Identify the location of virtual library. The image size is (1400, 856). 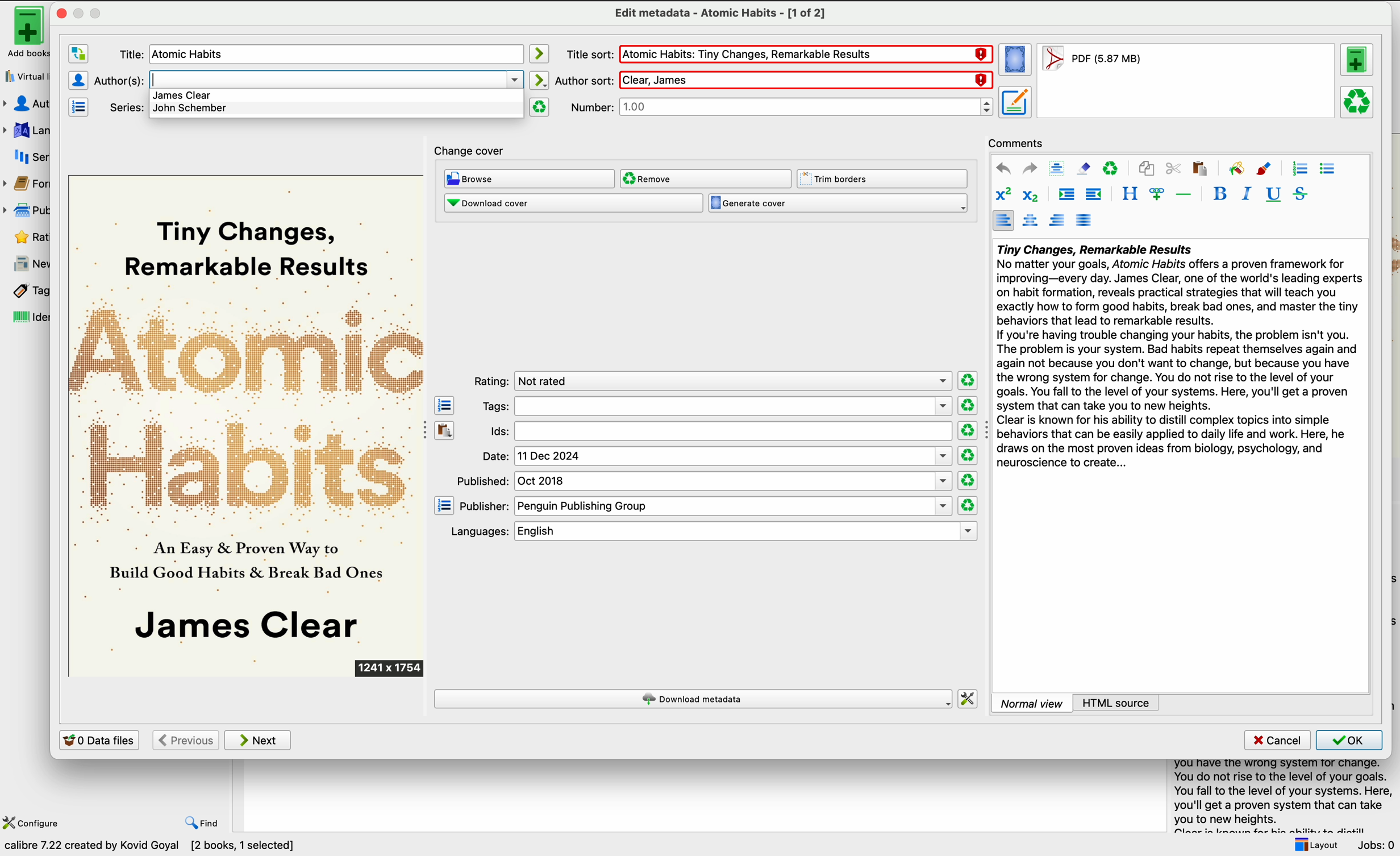
(24, 76).